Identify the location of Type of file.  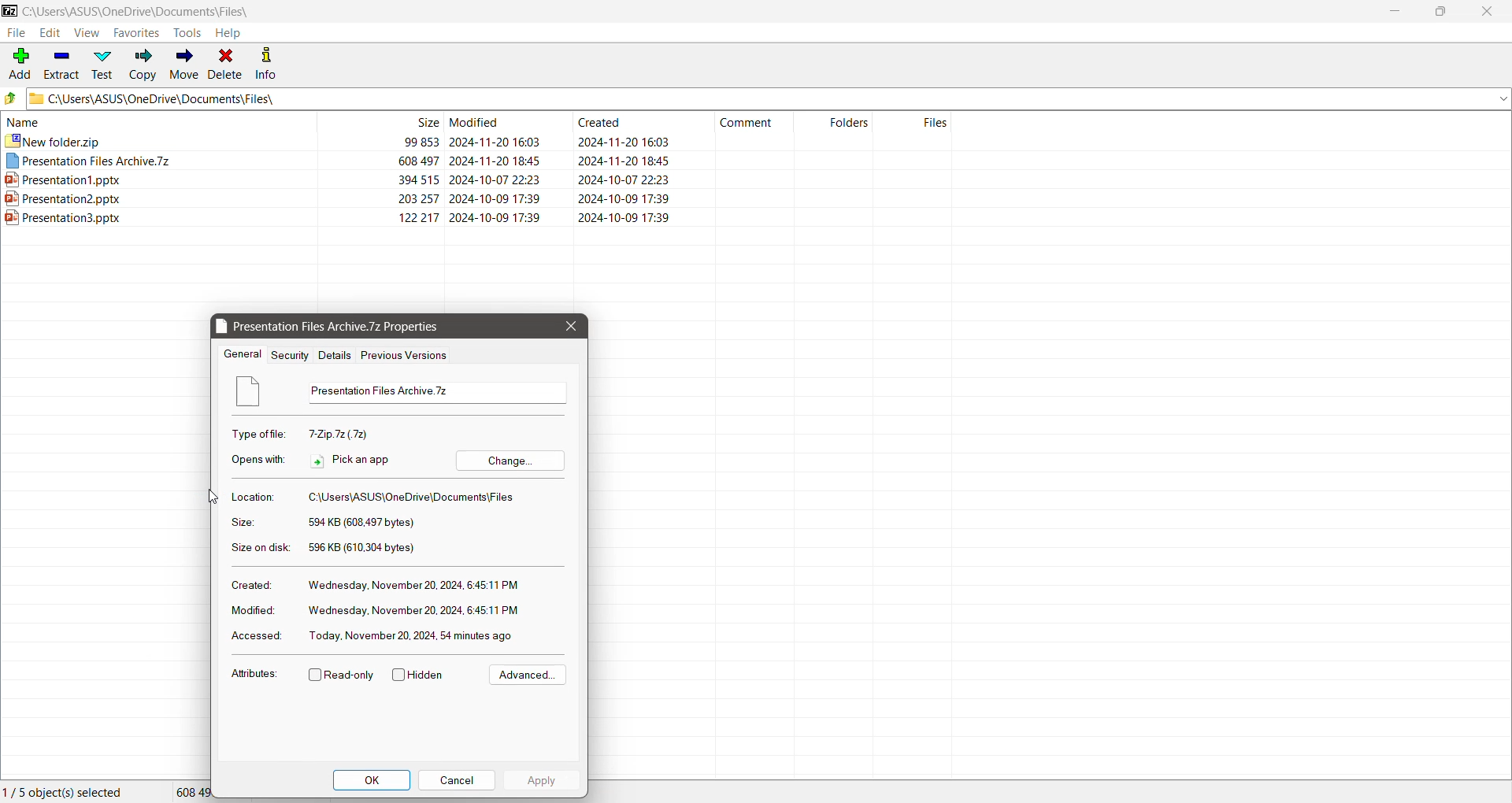
(262, 433).